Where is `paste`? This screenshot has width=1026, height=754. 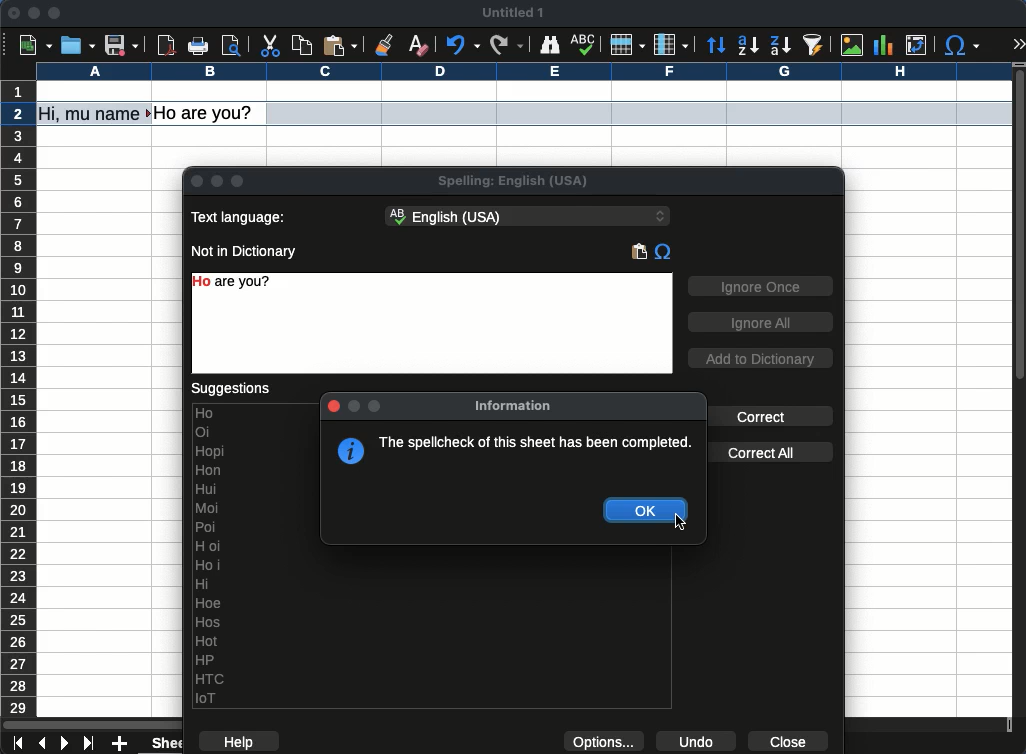
paste is located at coordinates (639, 251).